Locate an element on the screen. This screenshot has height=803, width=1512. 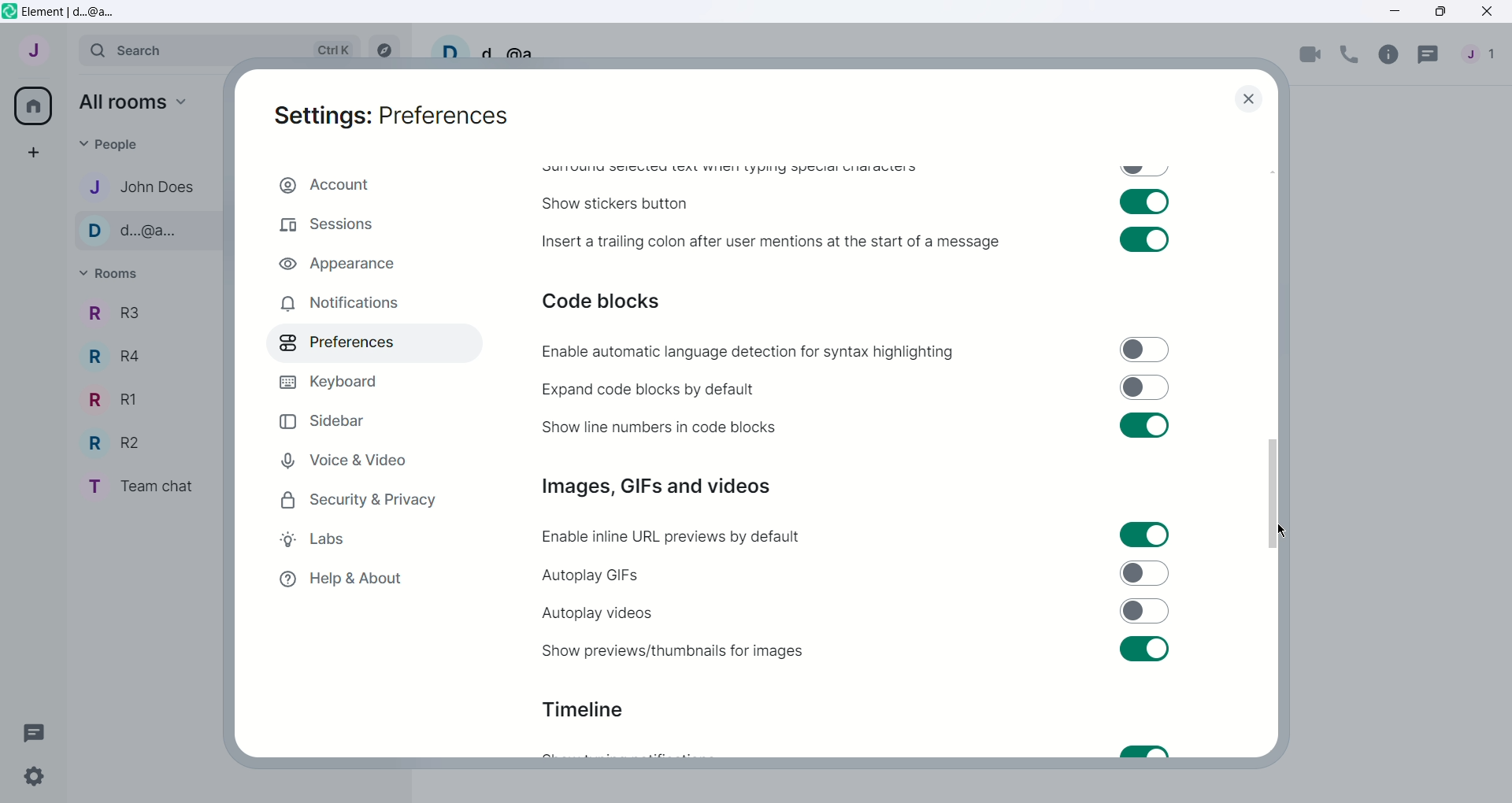
Images, GIFs and videos is located at coordinates (655, 487).